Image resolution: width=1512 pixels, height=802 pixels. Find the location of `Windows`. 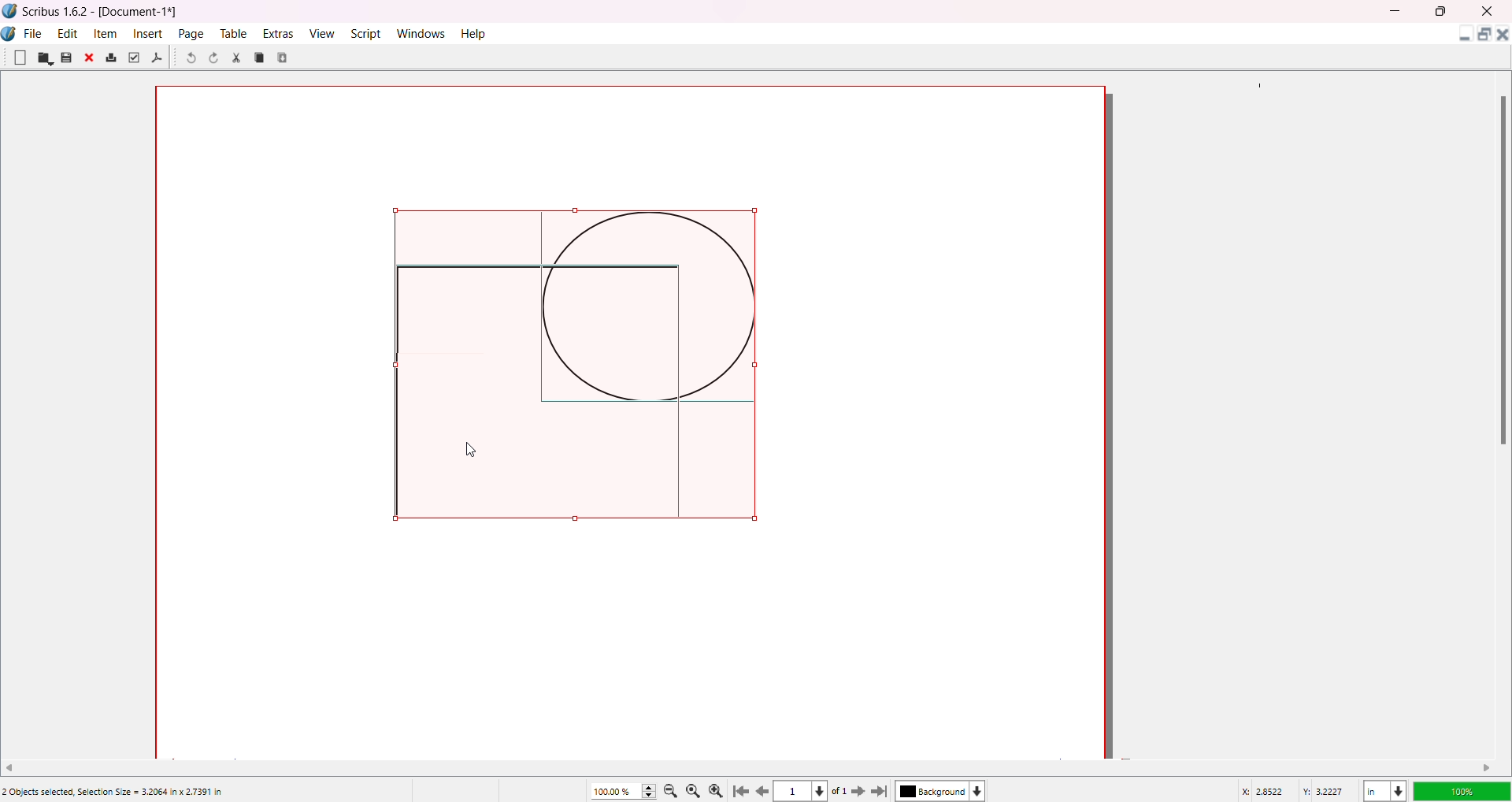

Windows is located at coordinates (424, 33).